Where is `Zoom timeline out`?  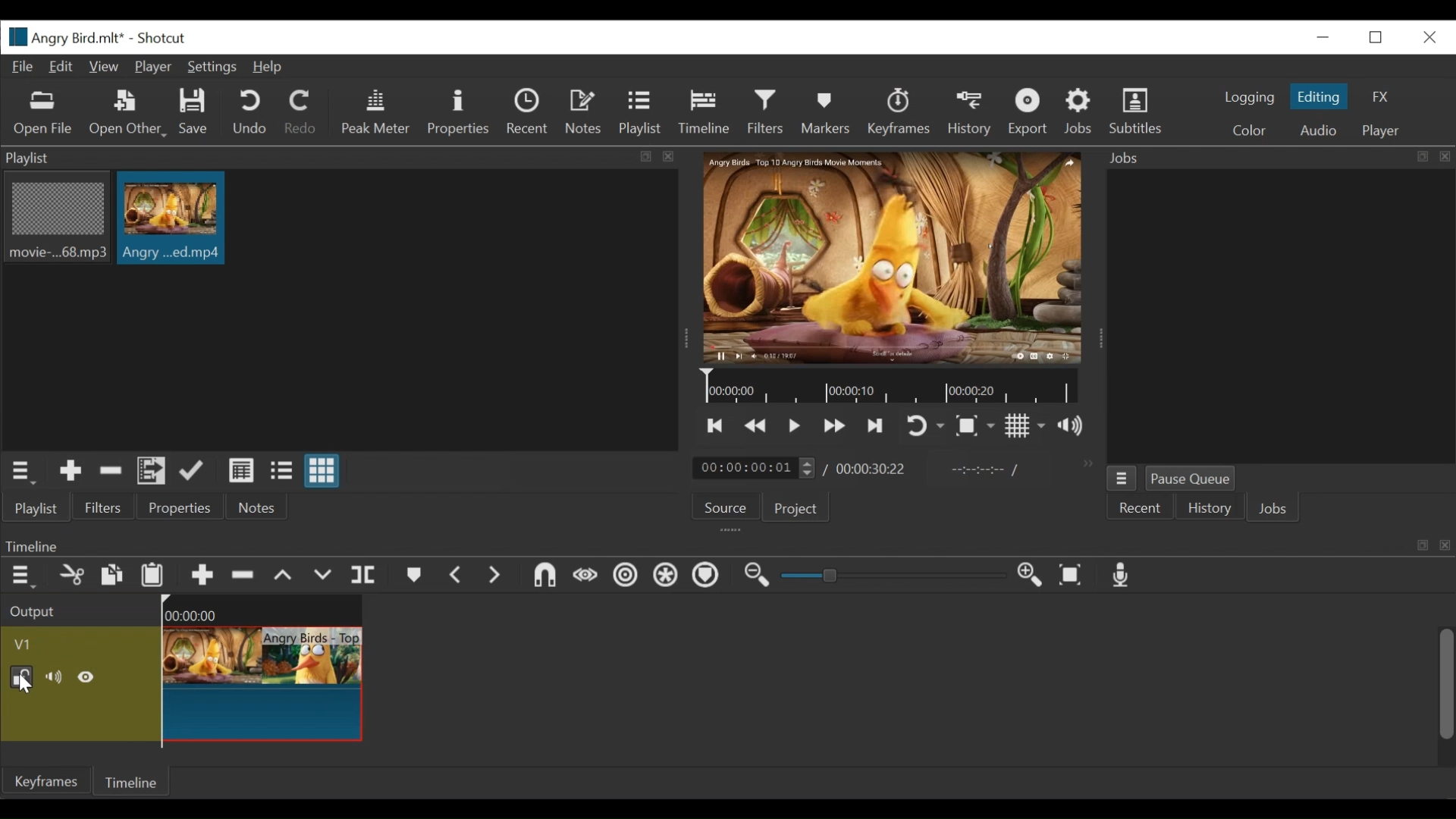
Zoom timeline out is located at coordinates (756, 576).